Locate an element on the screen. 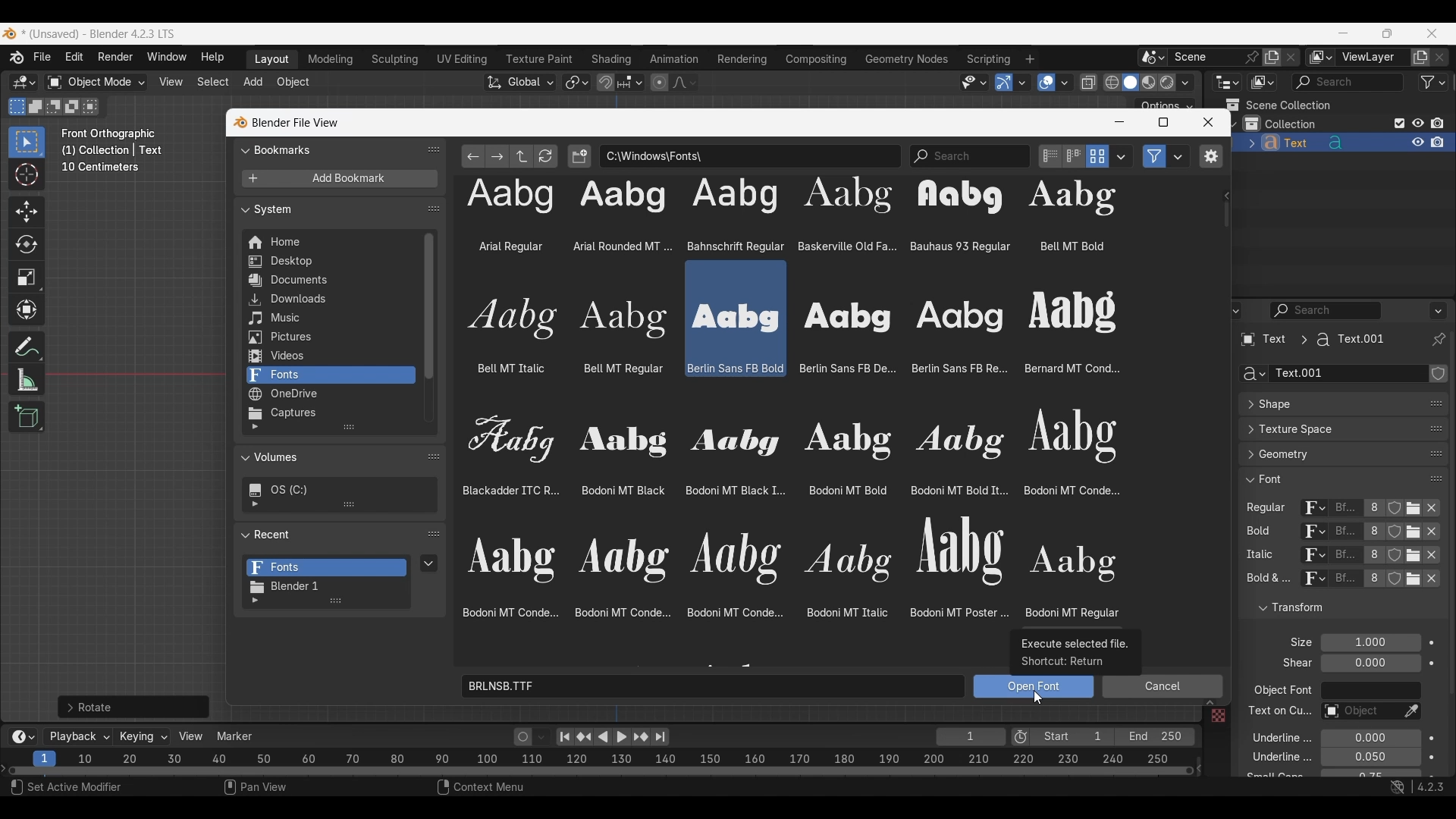 The image size is (1456, 819). Object menu is located at coordinates (294, 83).